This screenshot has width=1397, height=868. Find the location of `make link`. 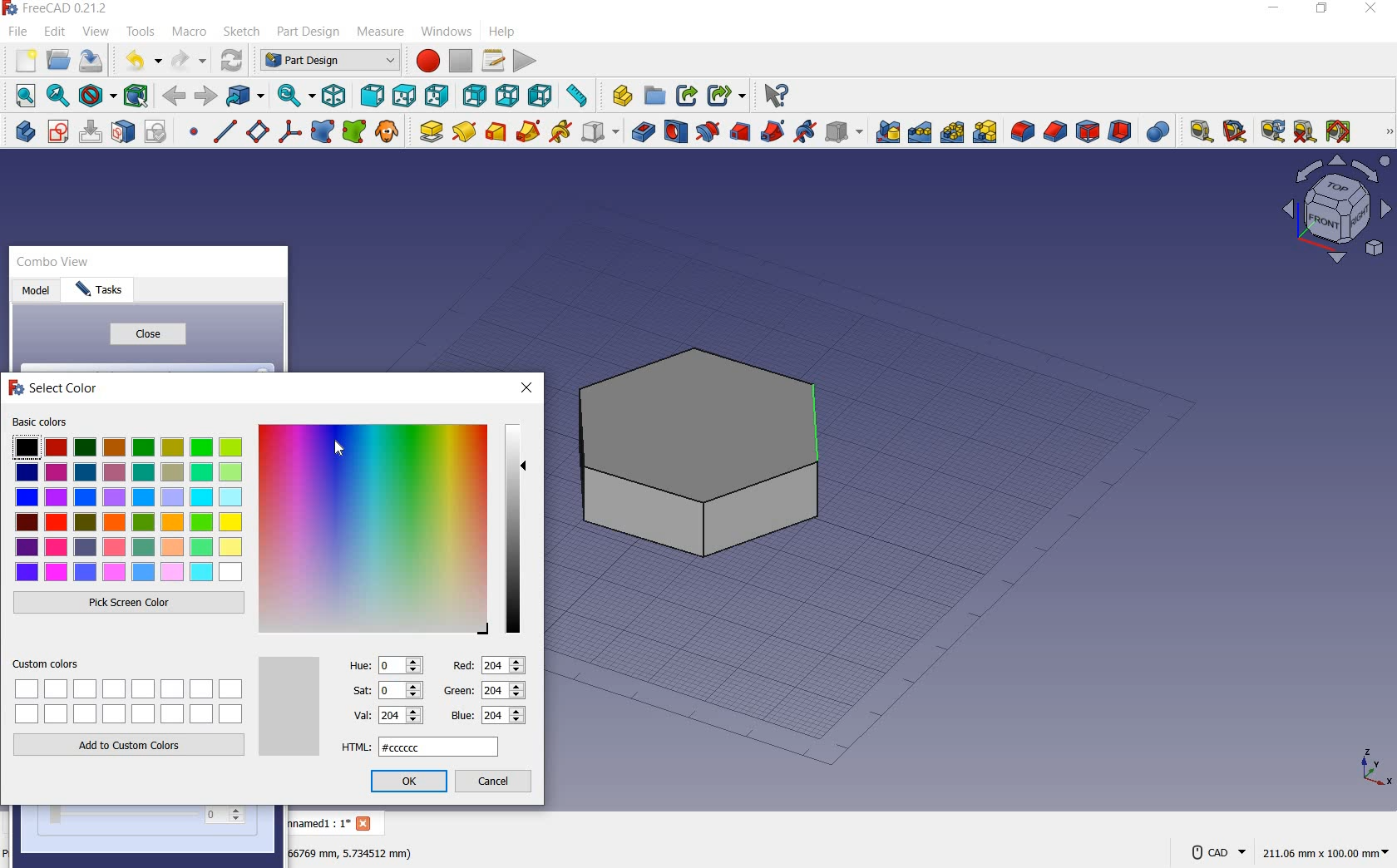

make link is located at coordinates (684, 96).